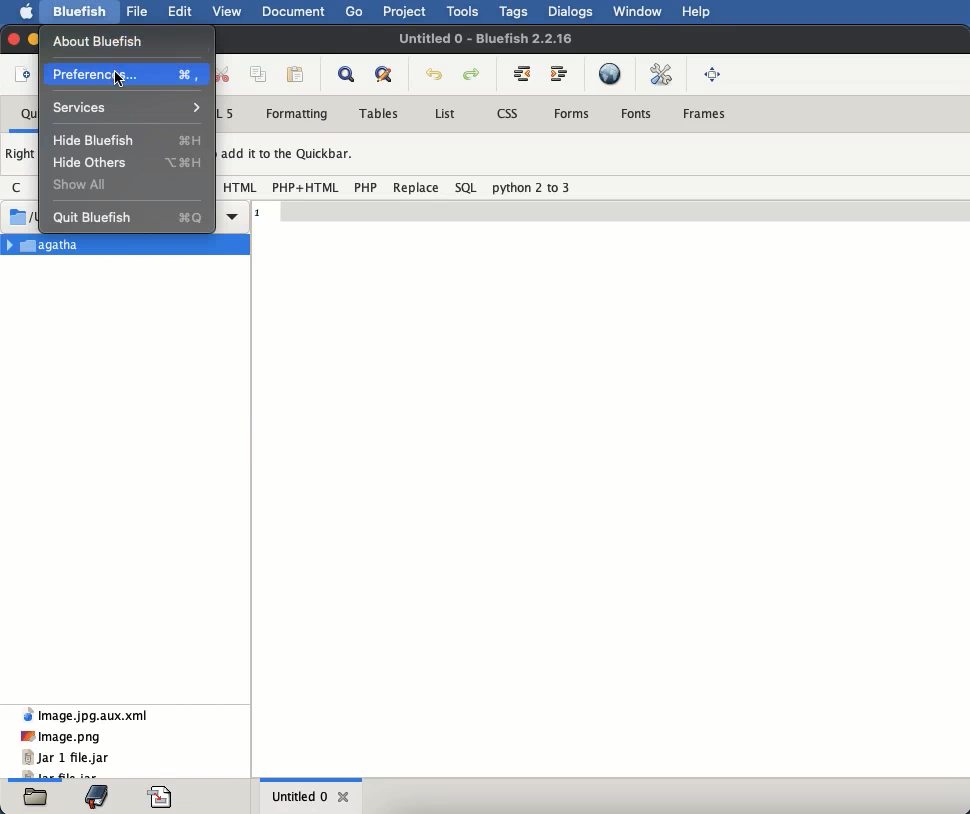  What do you see at coordinates (473, 75) in the screenshot?
I see `redo` at bounding box center [473, 75].